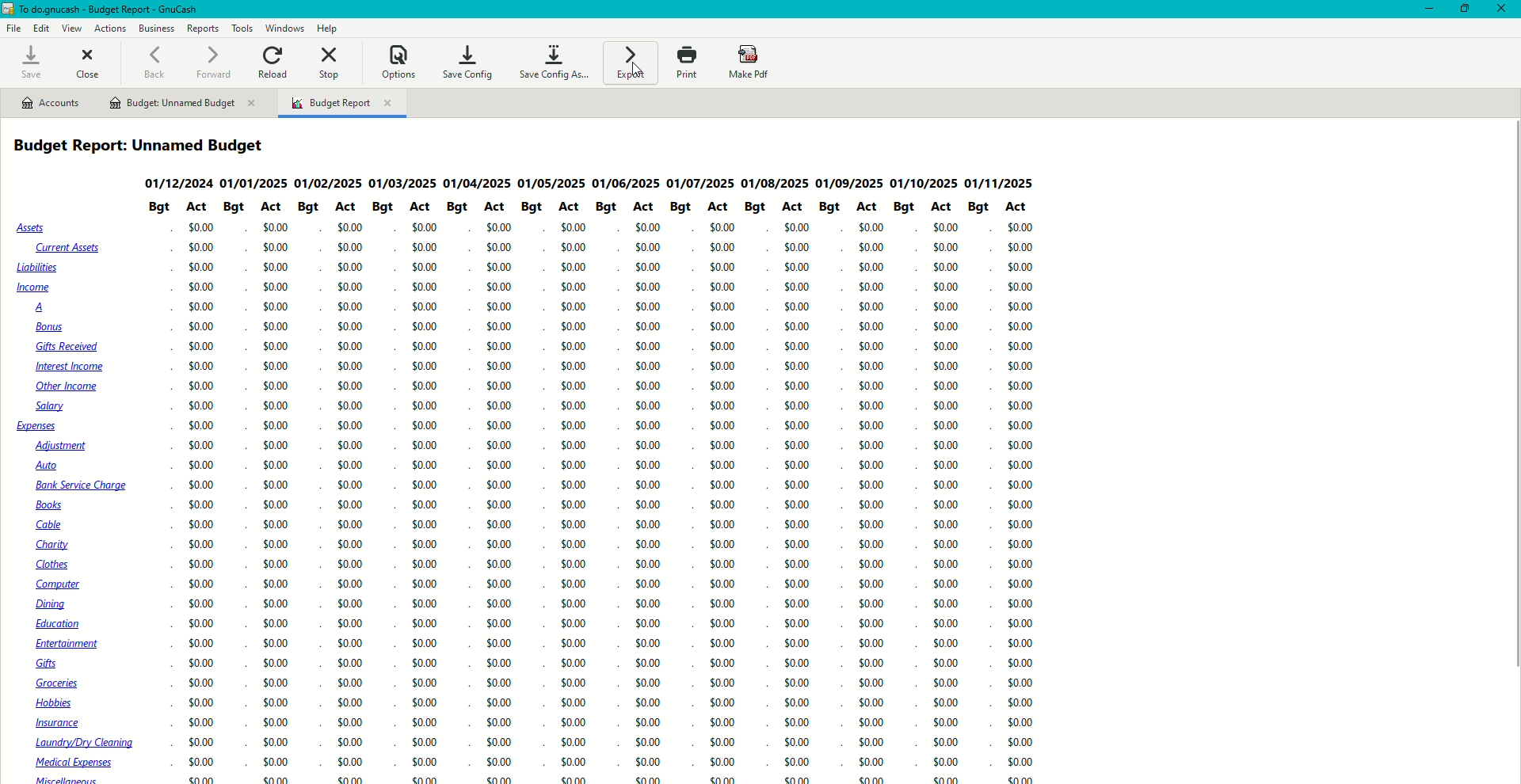  I want to click on $0.00, so click(574, 664).